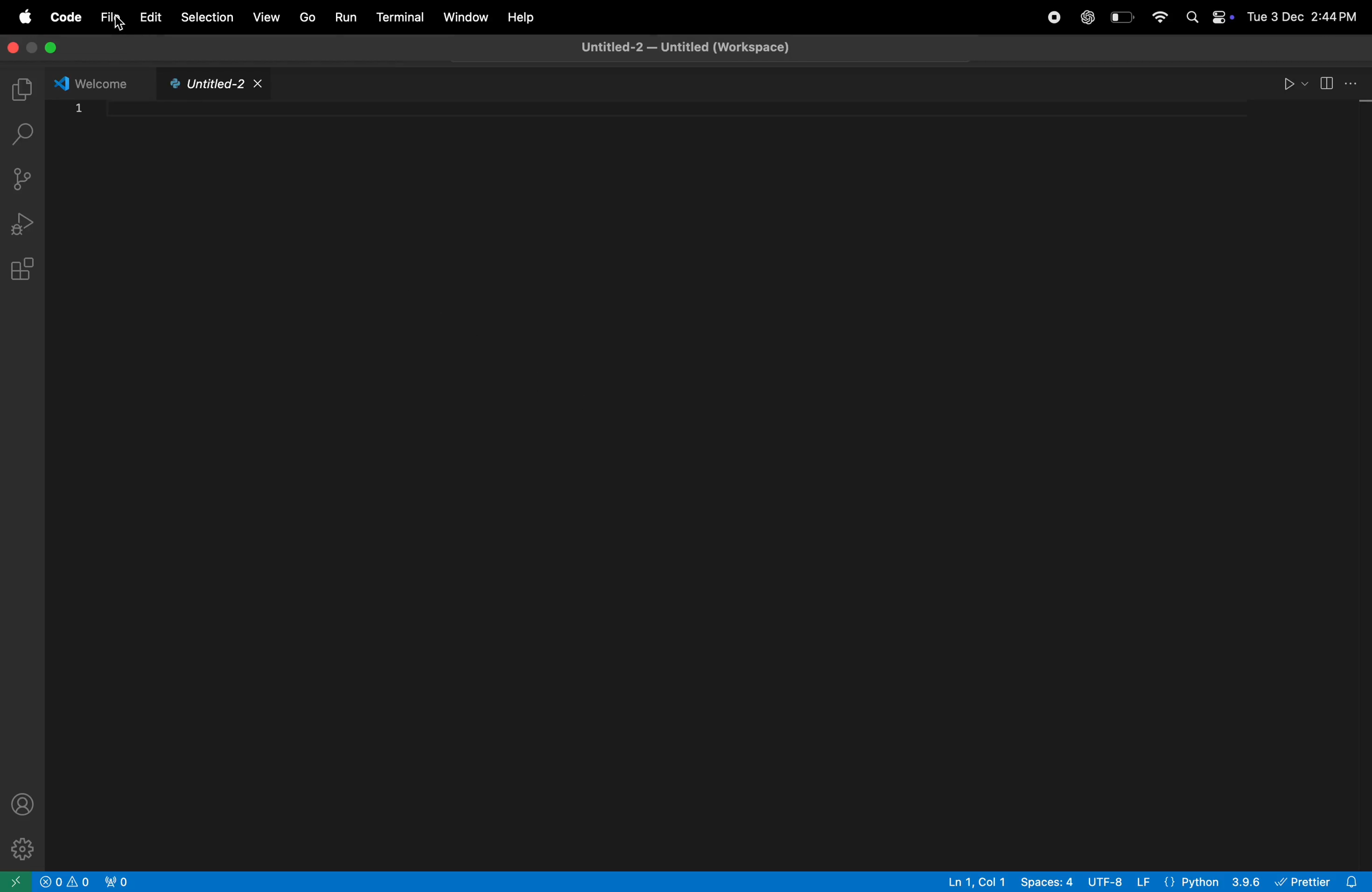 This screenshot has width=1372, height=892. I want to click on search, so click(24, 138).